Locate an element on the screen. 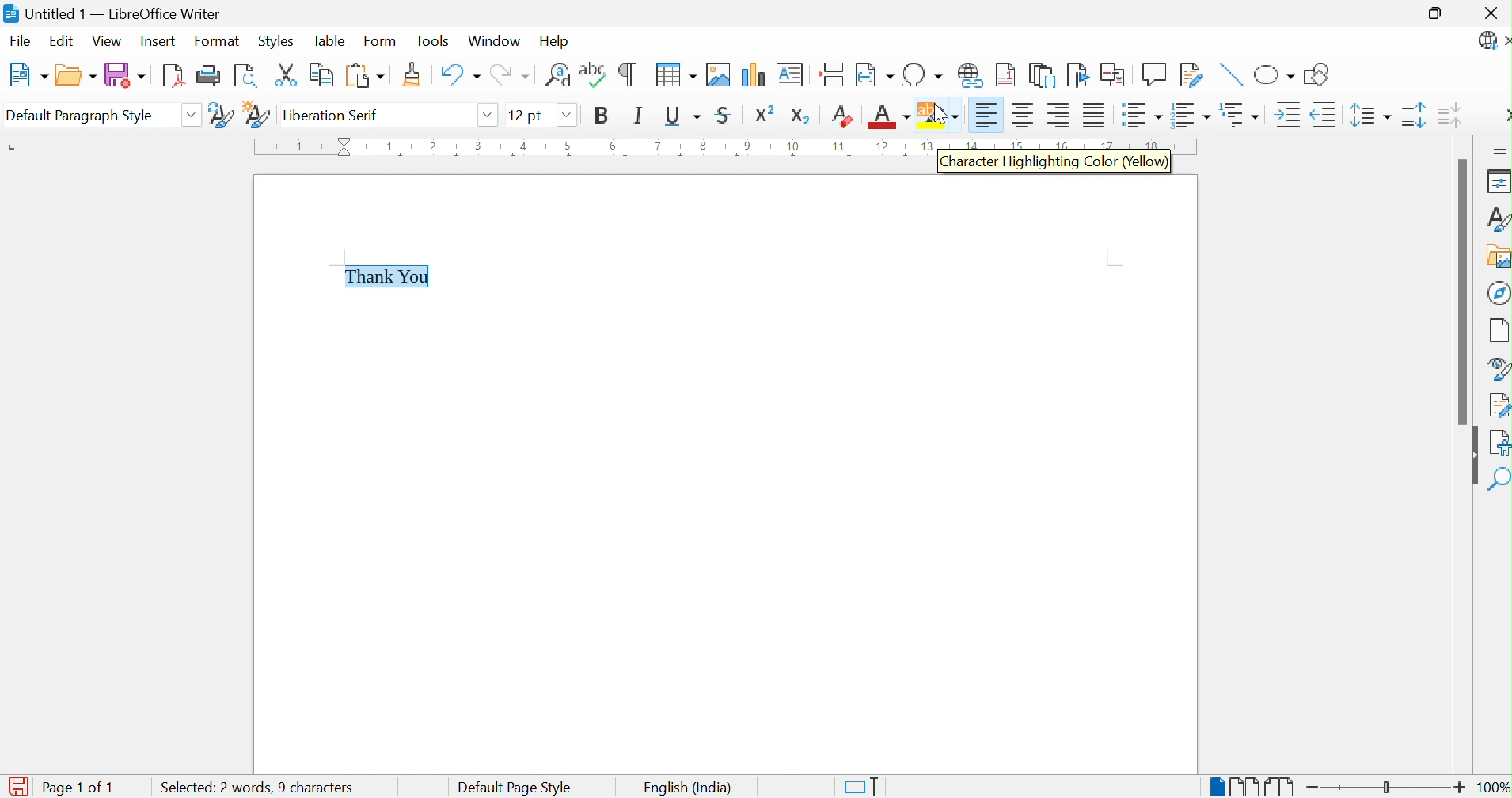 This screenshot has width=1512, height=798. Page is located at coordinates (1498, 330).